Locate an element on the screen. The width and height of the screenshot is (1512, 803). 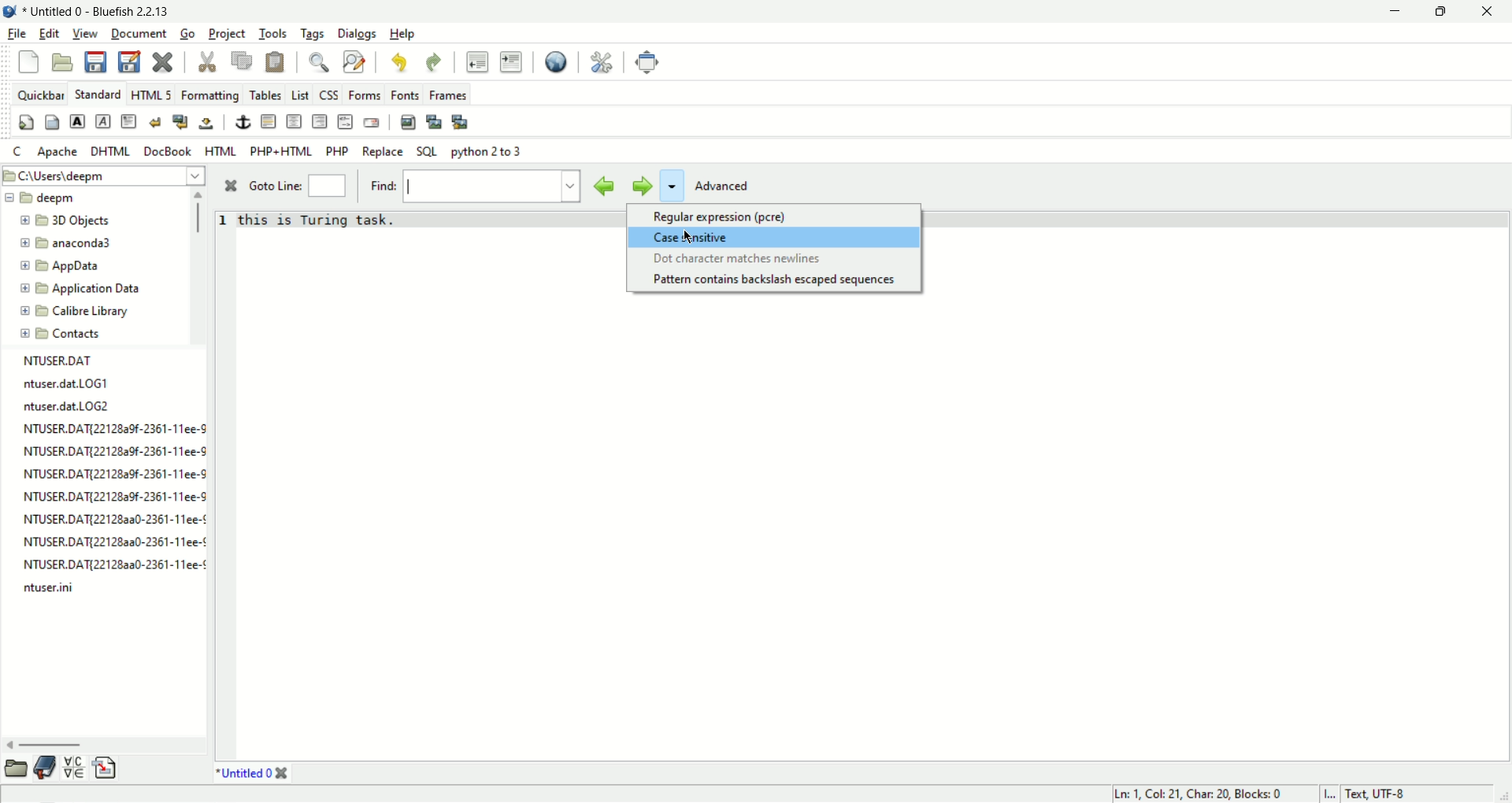
email is located at coordinates (371, 123).